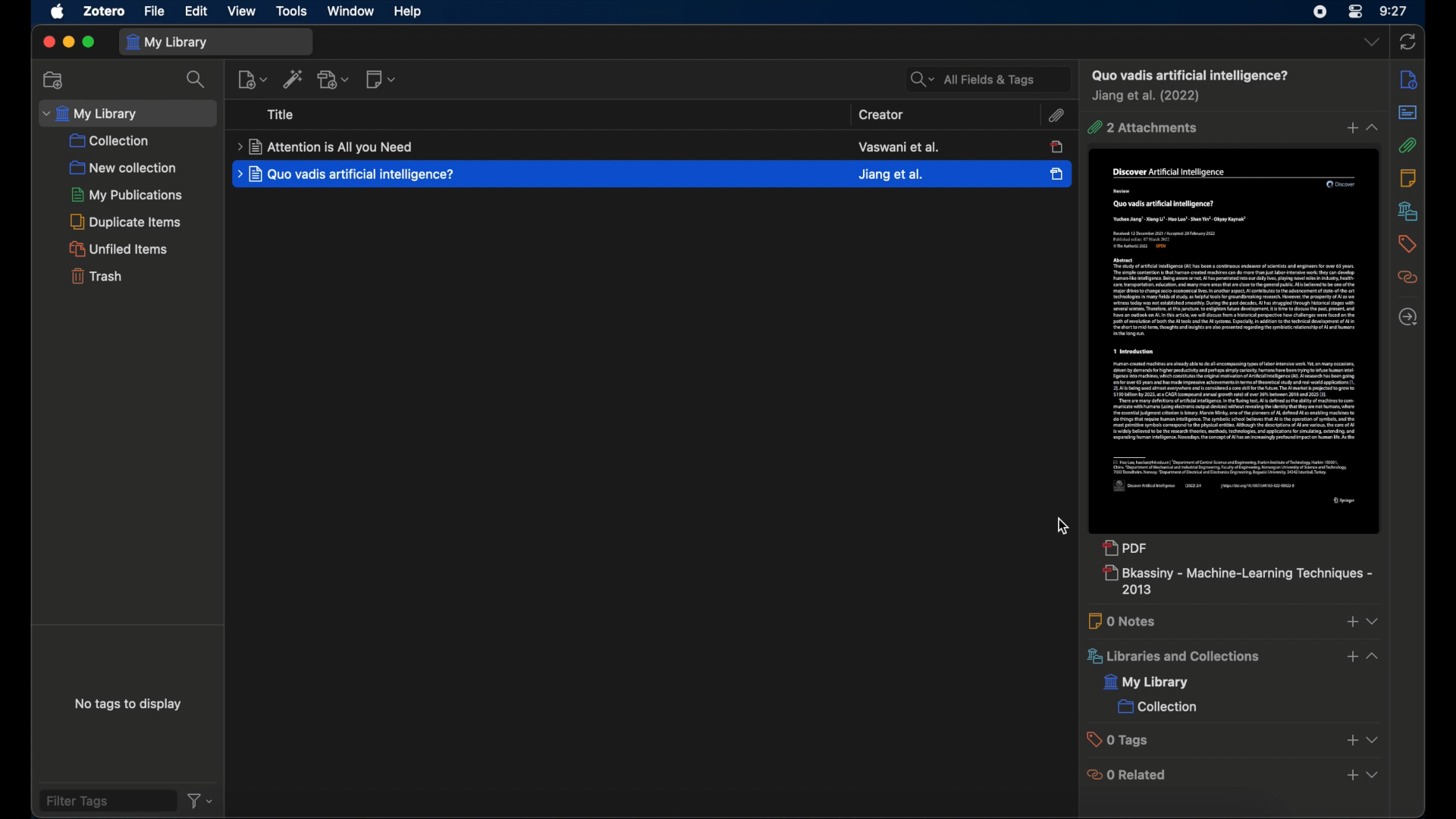  Describe the element at coordinates (1316, 12) in the screenshot. I see `screen recorder icon` at that location.